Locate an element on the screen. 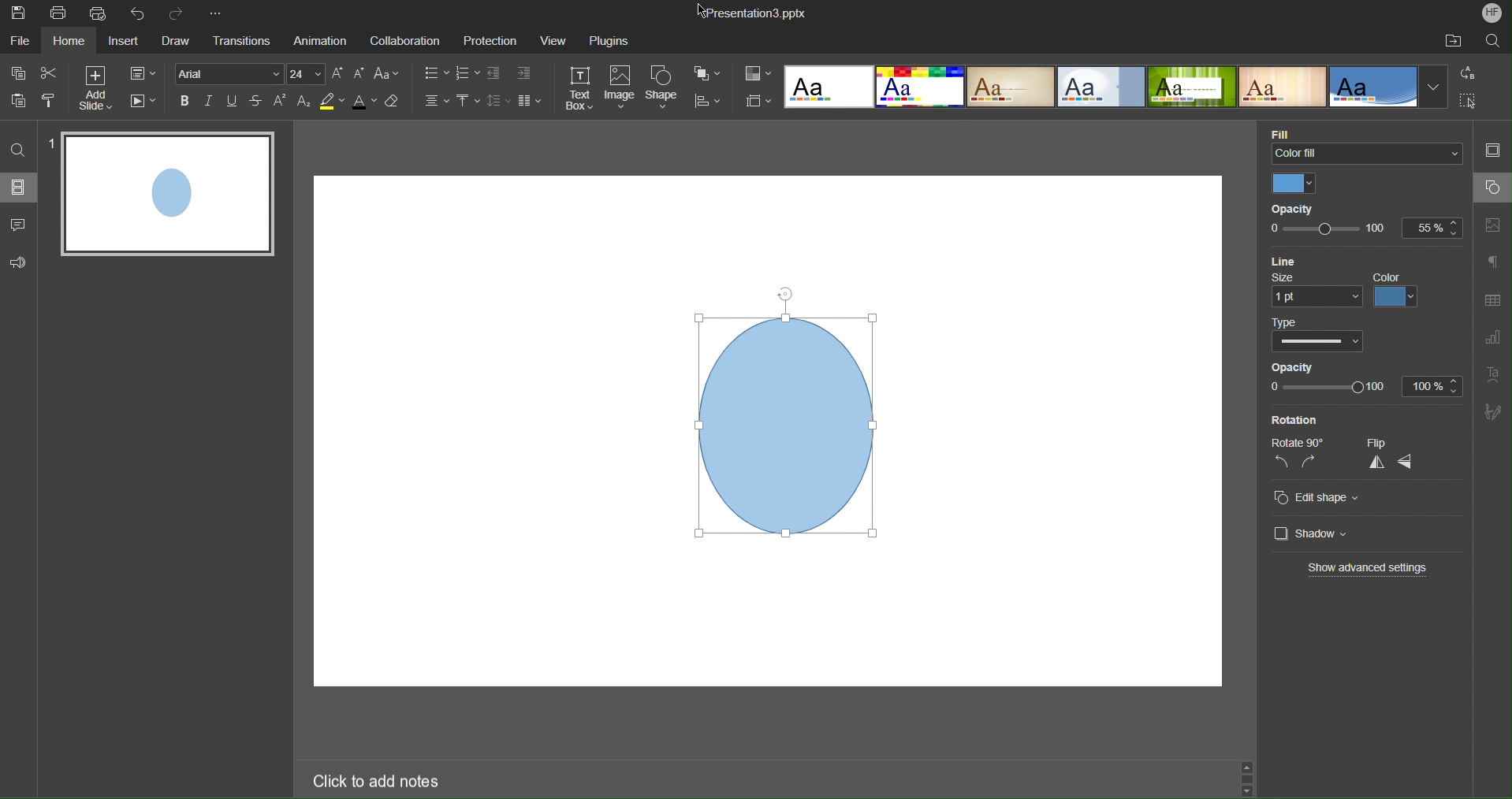 This screenshot has height=799, width=1512. Slide is located at coordinates (170, 194).